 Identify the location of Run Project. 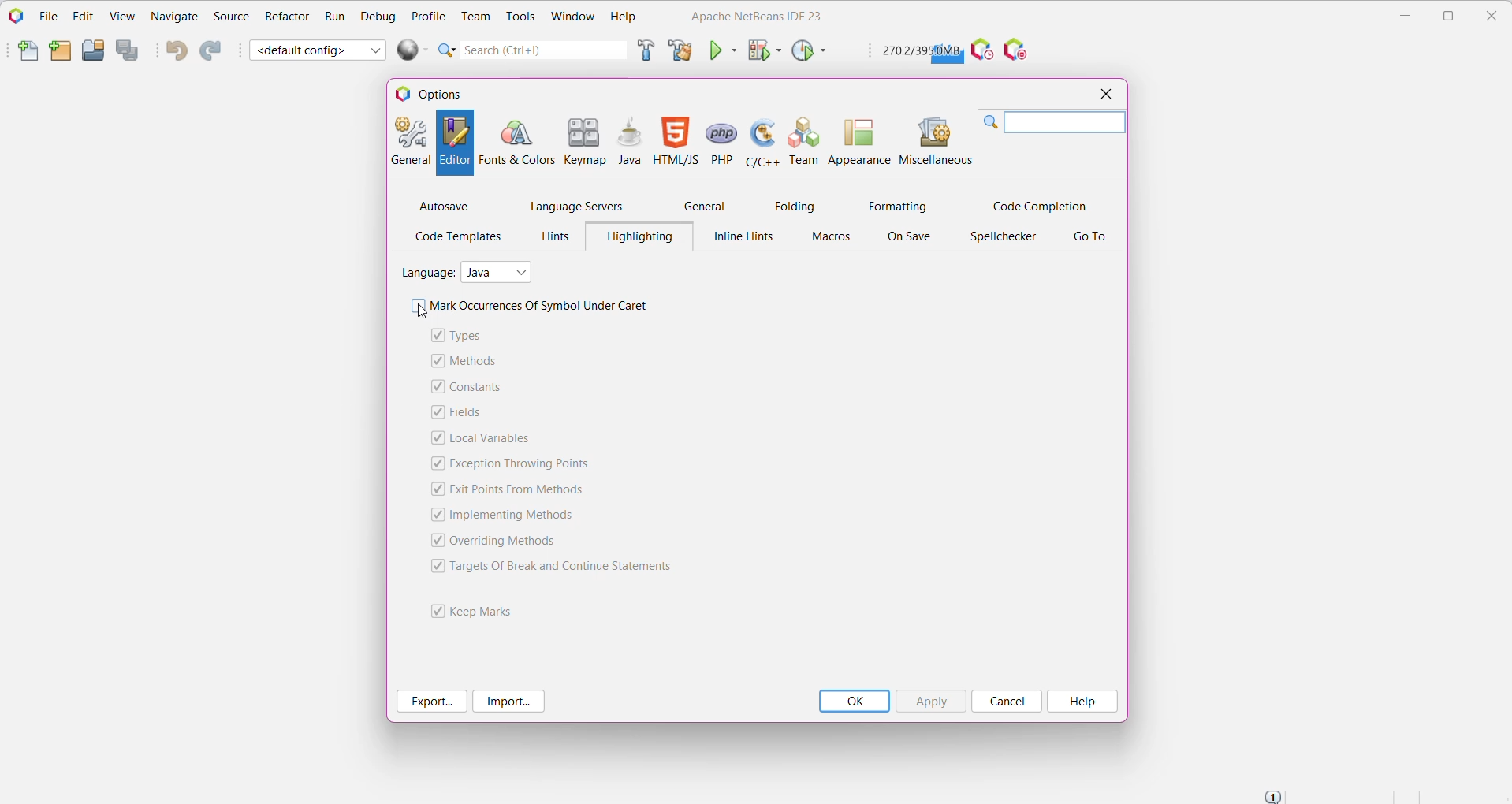
(723, 50).